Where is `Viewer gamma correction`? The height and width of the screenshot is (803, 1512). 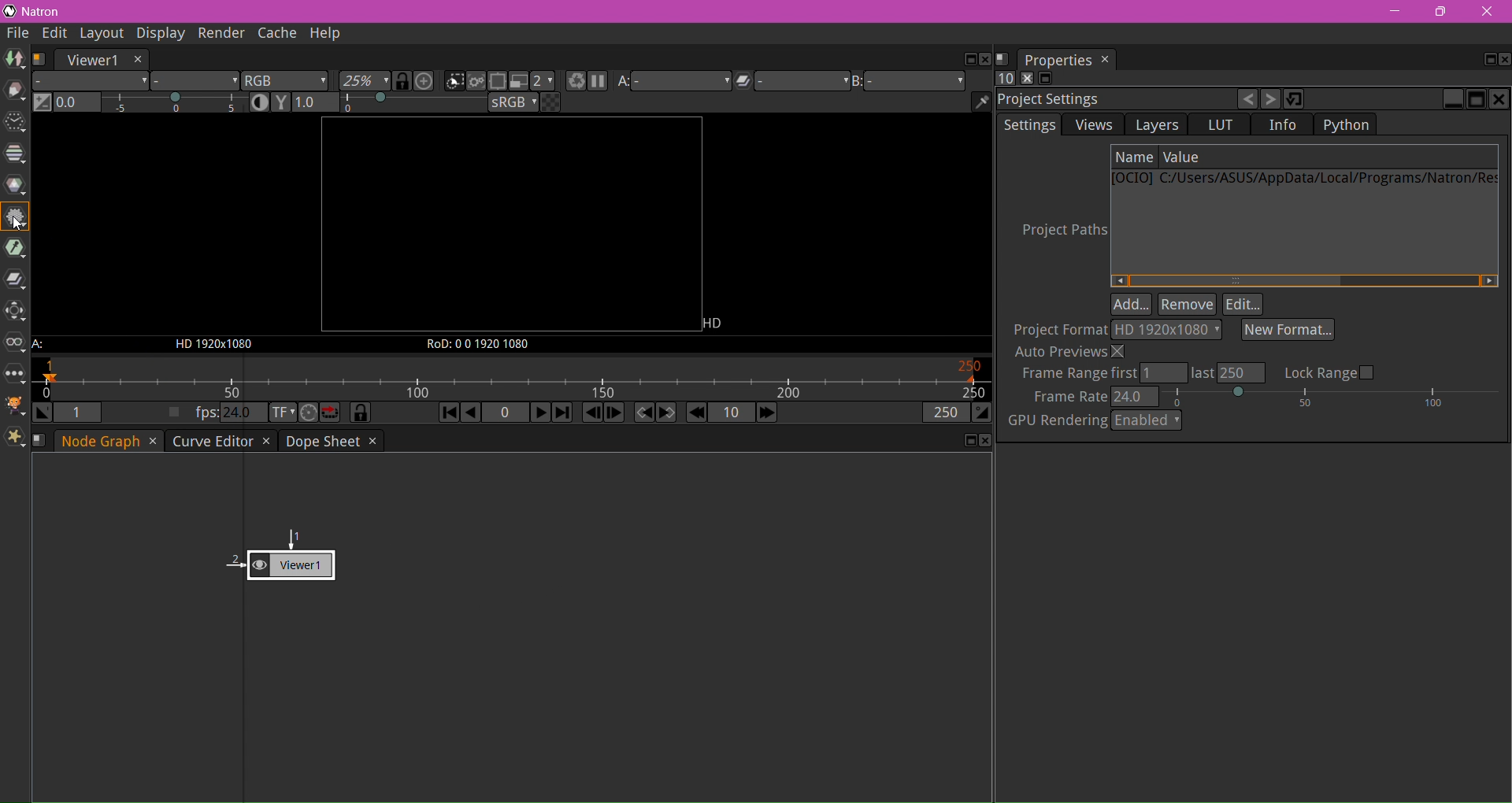 Viewer gamma correction is located at coordinates (281, 102).